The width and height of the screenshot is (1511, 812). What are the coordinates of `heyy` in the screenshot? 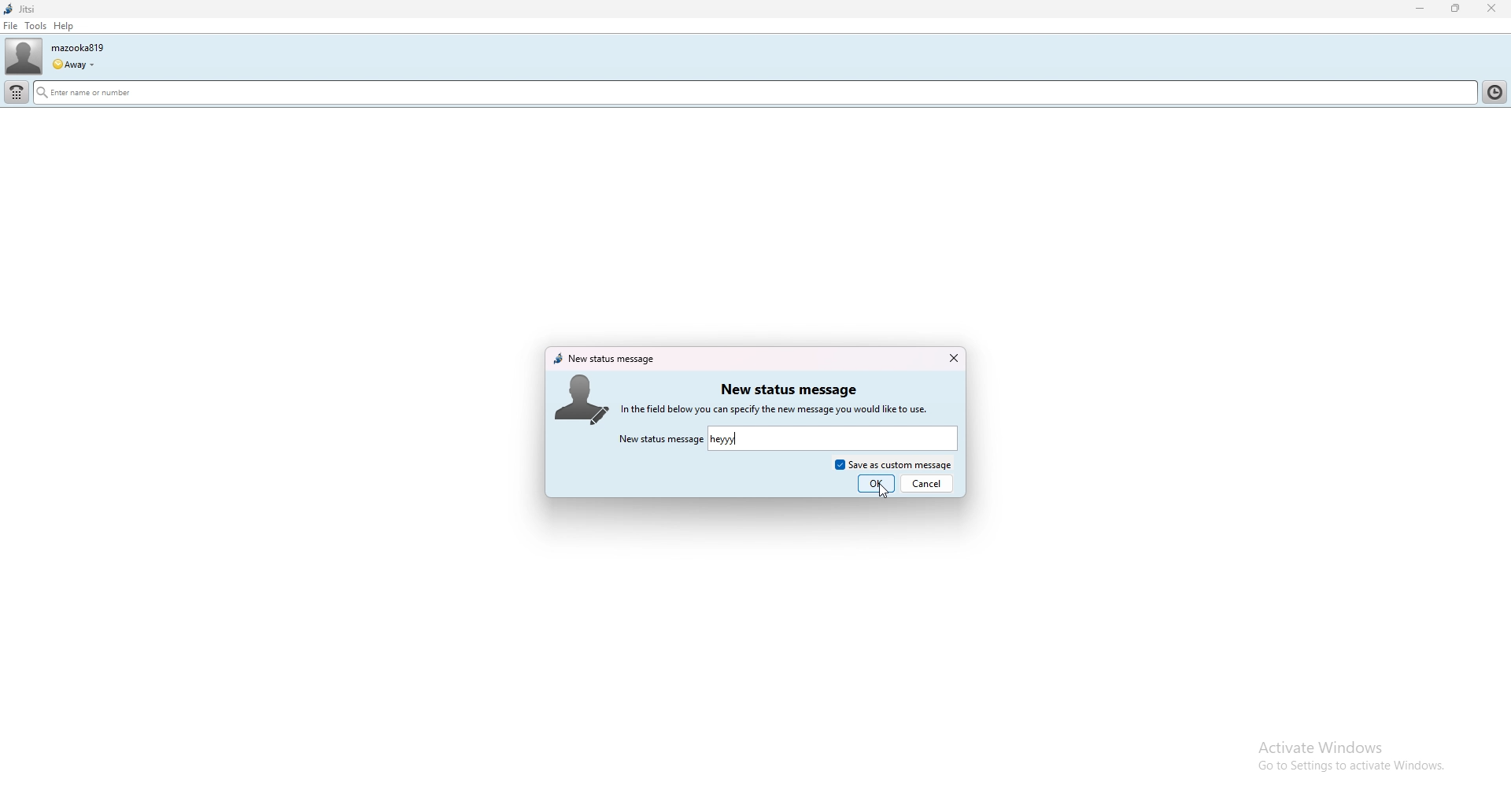 It's located at (724, 440).